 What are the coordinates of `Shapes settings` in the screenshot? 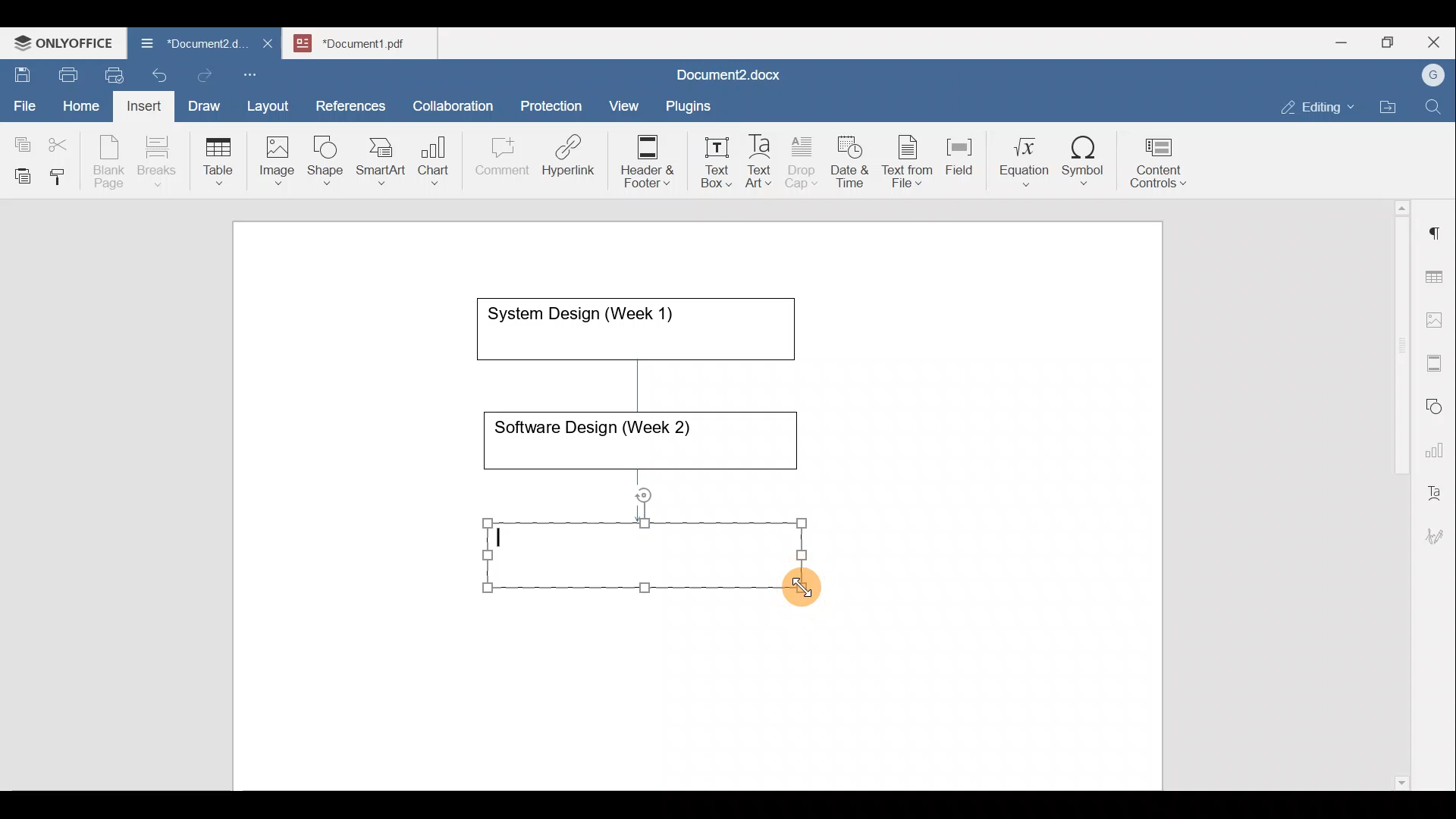 It's located at (1437, 404).